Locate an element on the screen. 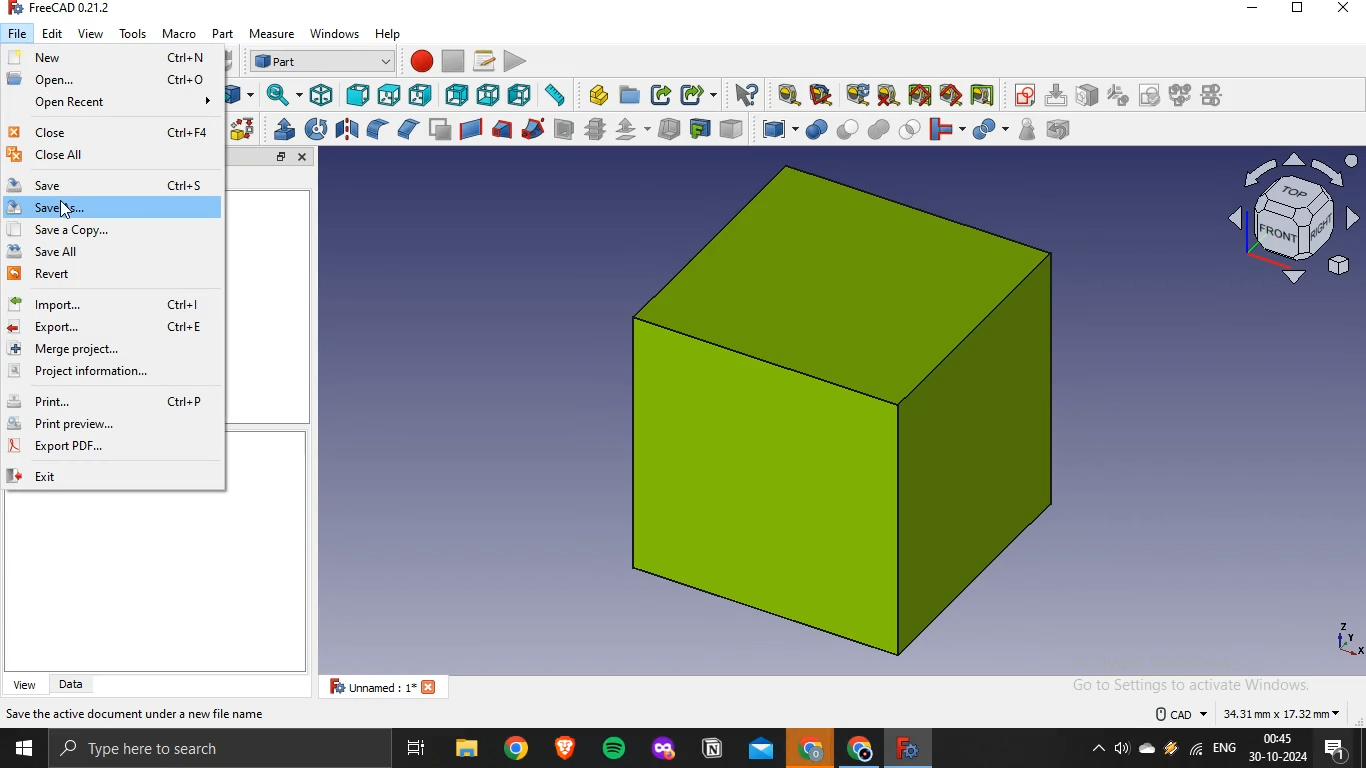 The image size is (1366, 768). mozilla firefox is located at coordinates (663, 750).